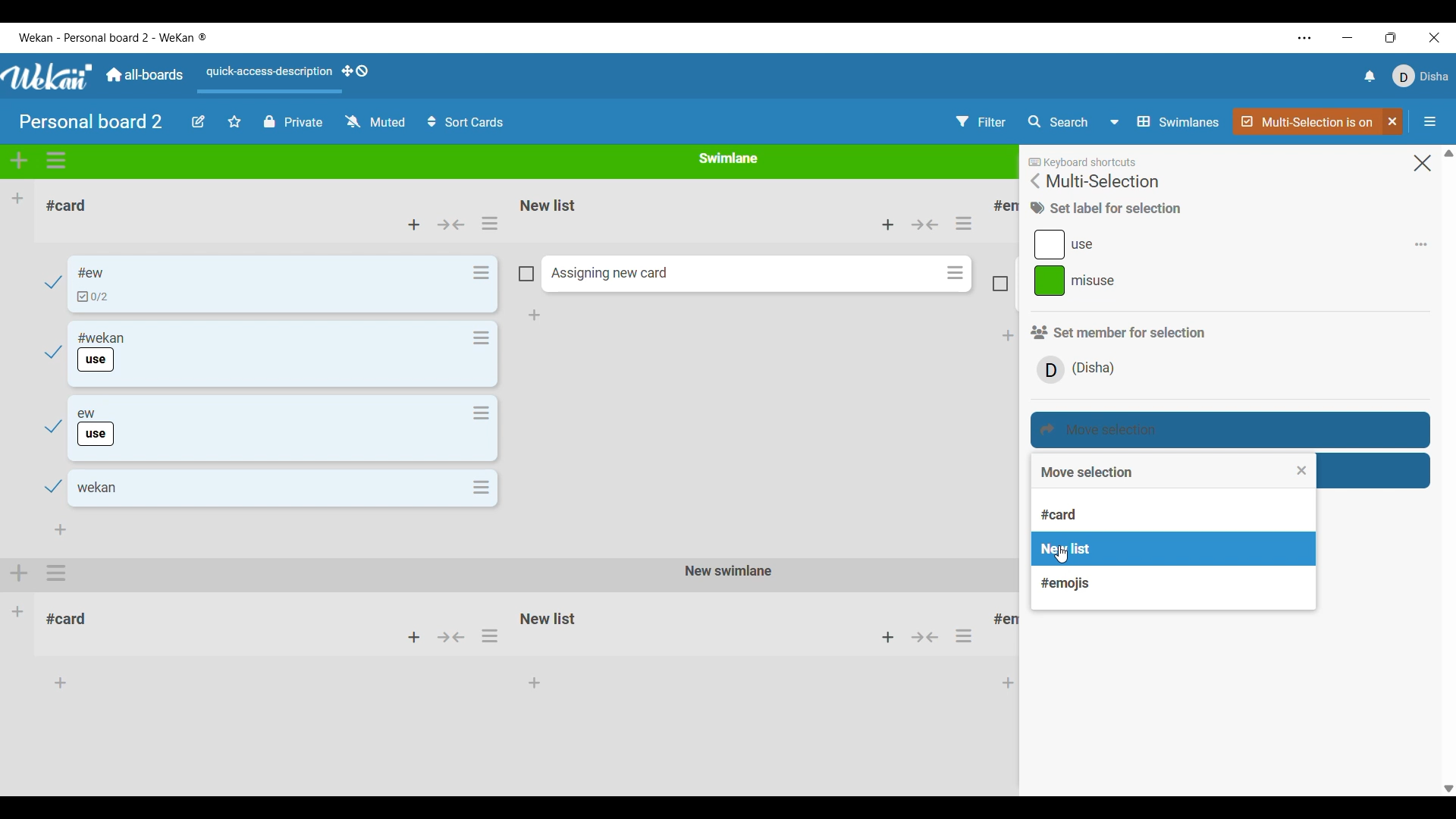 The image size is (1456, 819). What do you see at coordinates (550, 204) in the screenshot?
I see `Name of list` at bounding box center [550, 204].